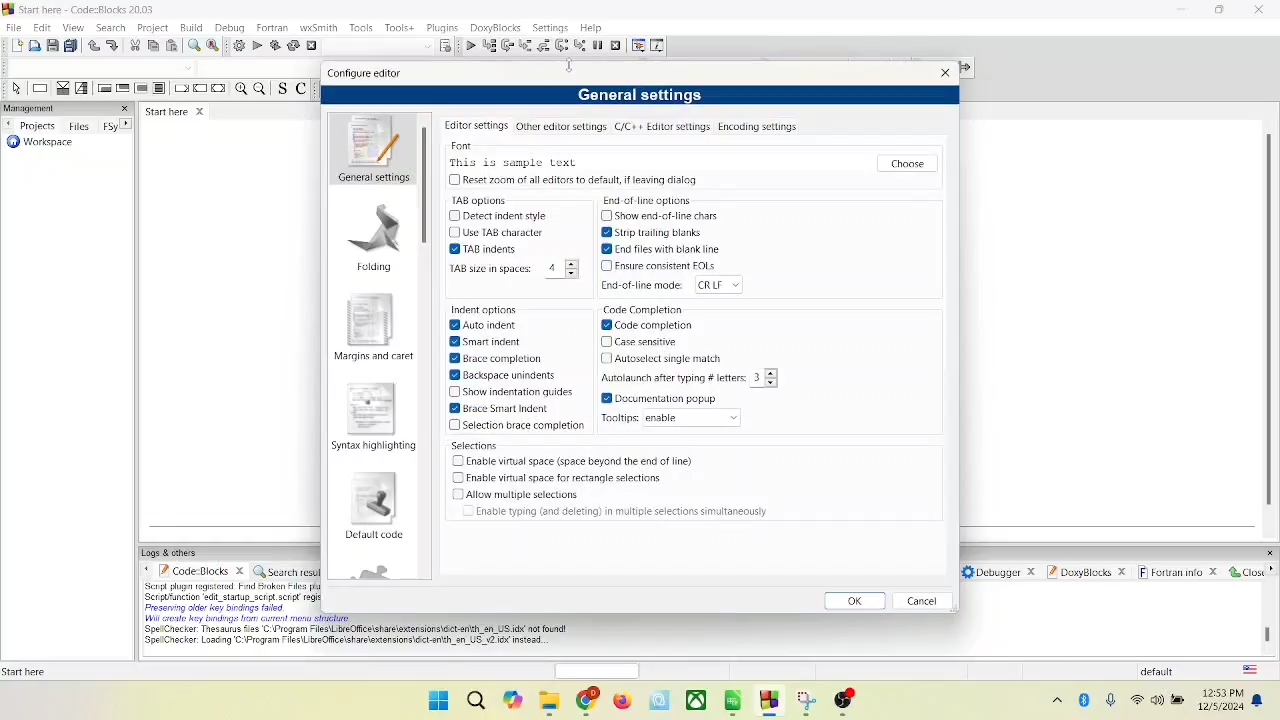 The image size is (1280, 720). Describe the element at coordinates (544, 46) in the screenshot. I see `step out` at that location.